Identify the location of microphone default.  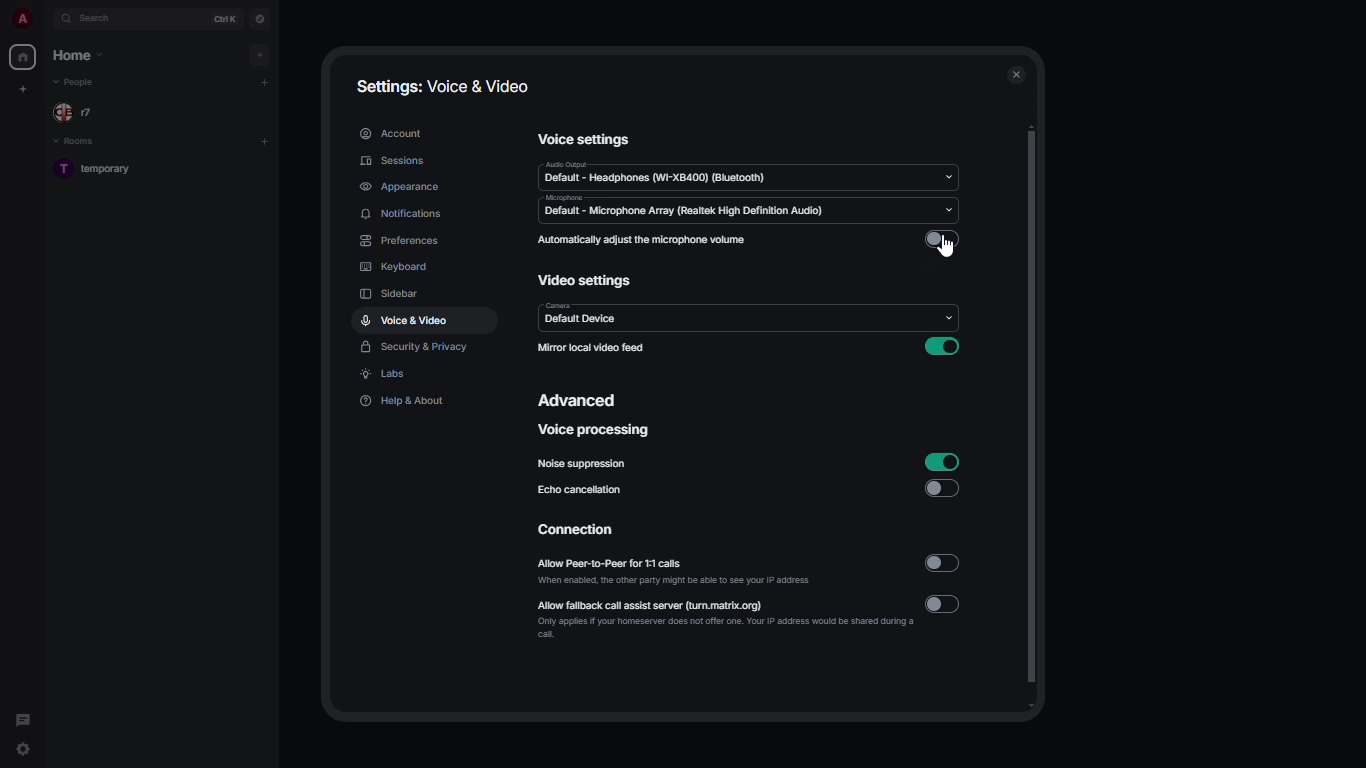
(689, 210).